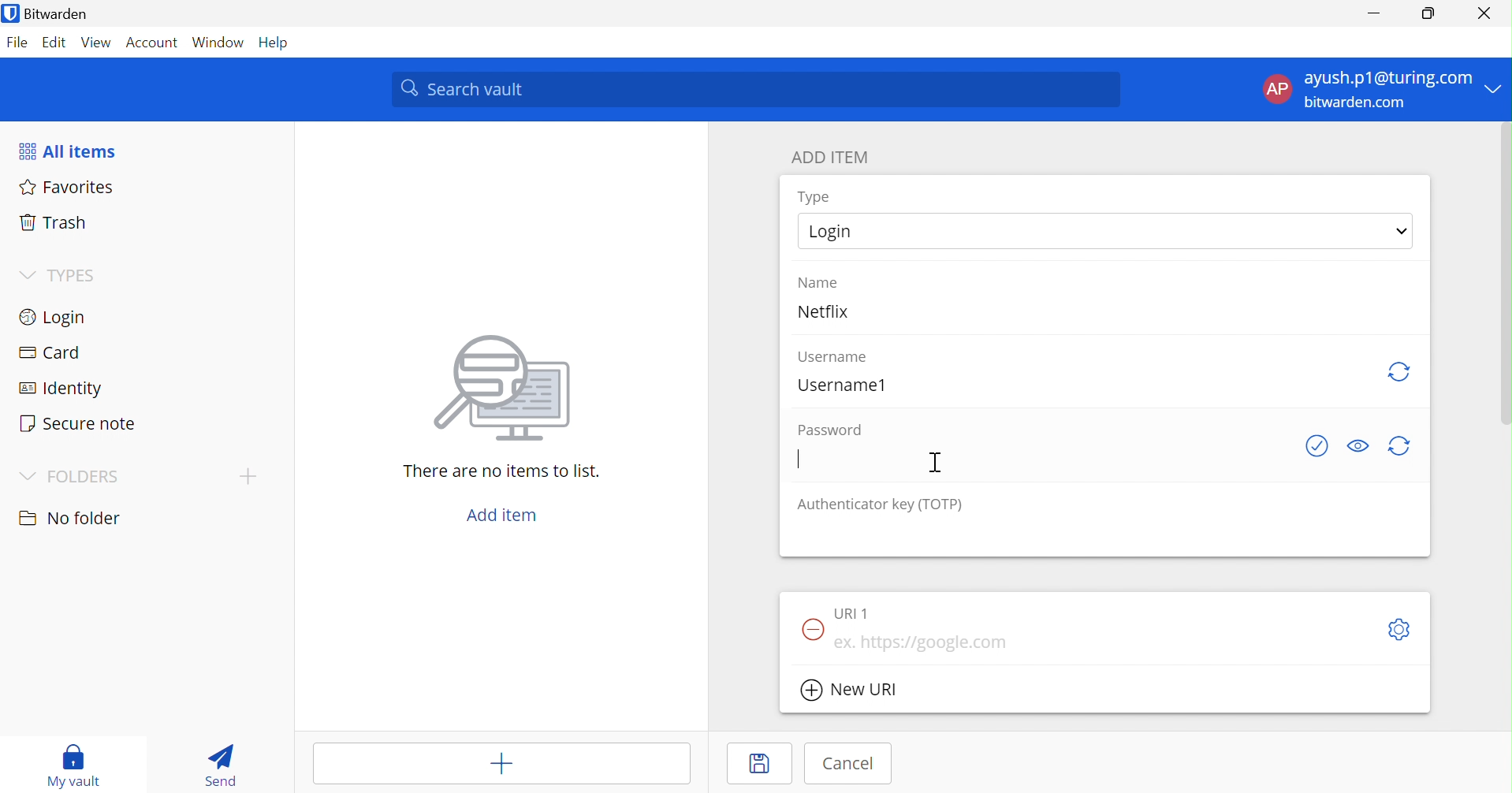  What do you see at coordinates (56, 316) in the screenshot?
I see `Login` at bounding box center [56, 316].